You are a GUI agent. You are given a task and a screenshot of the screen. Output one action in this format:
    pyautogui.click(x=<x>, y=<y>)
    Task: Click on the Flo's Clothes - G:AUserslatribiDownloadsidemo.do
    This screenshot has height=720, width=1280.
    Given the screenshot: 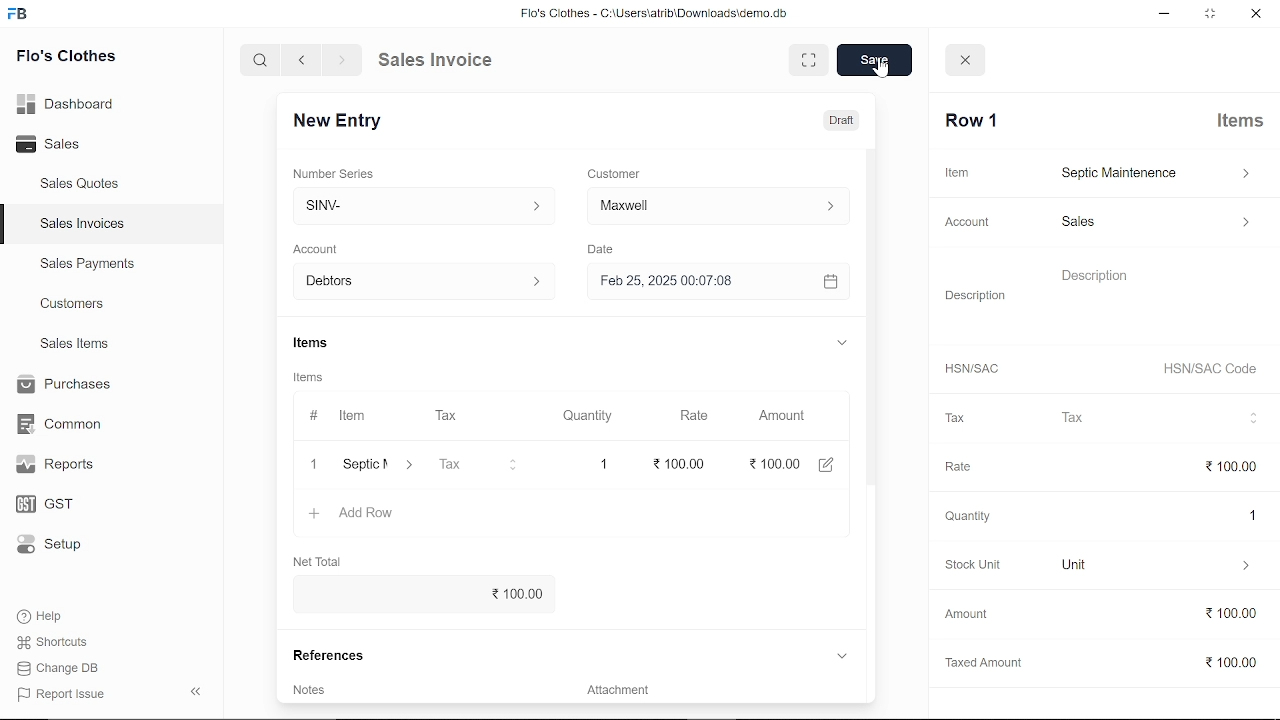 What is the action you would take?
    pyautogui.click(x=651, y=13)
    